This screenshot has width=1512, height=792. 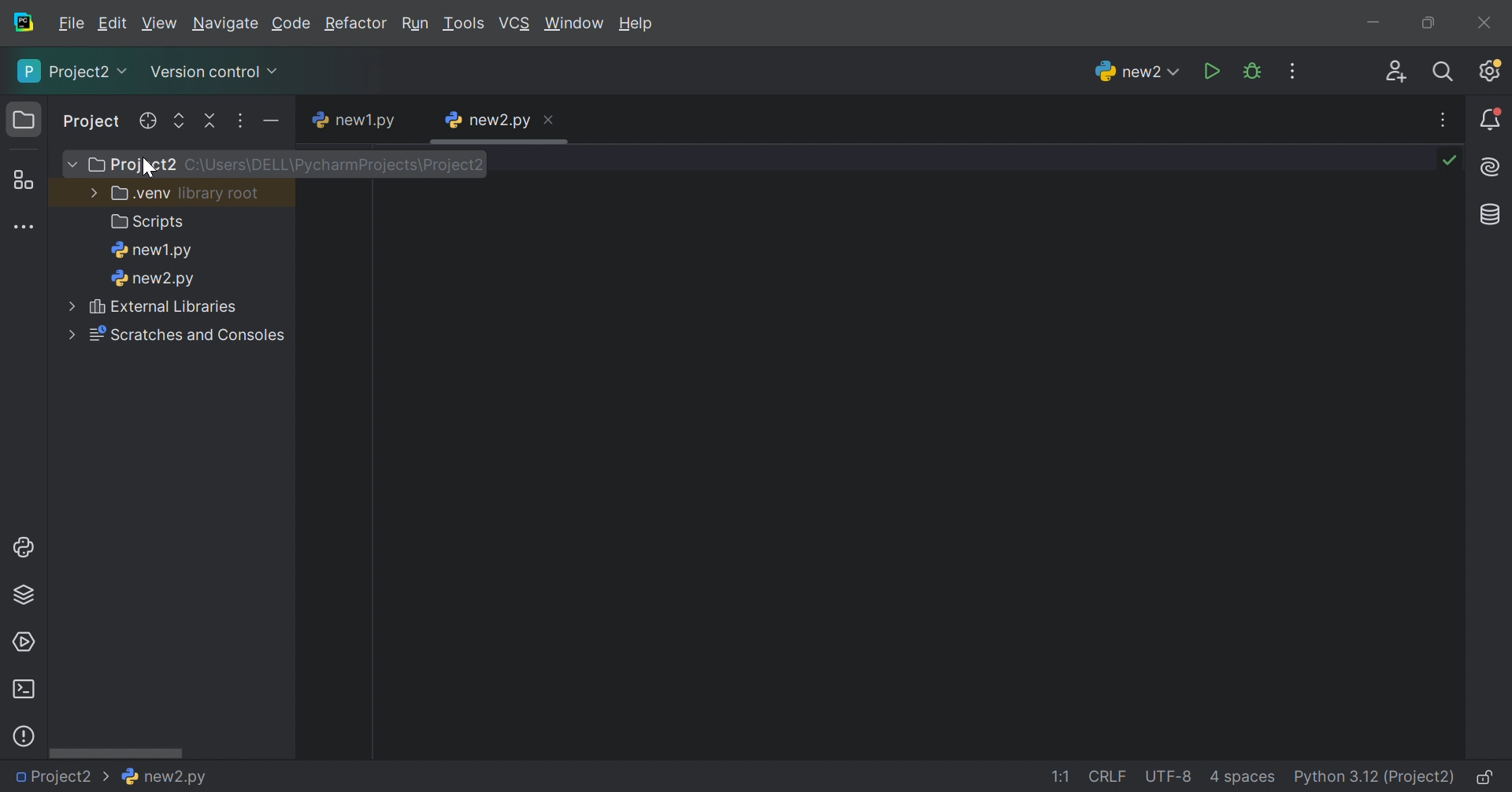 I want to click on Scratches and consoles, so click(x=191, y=336).